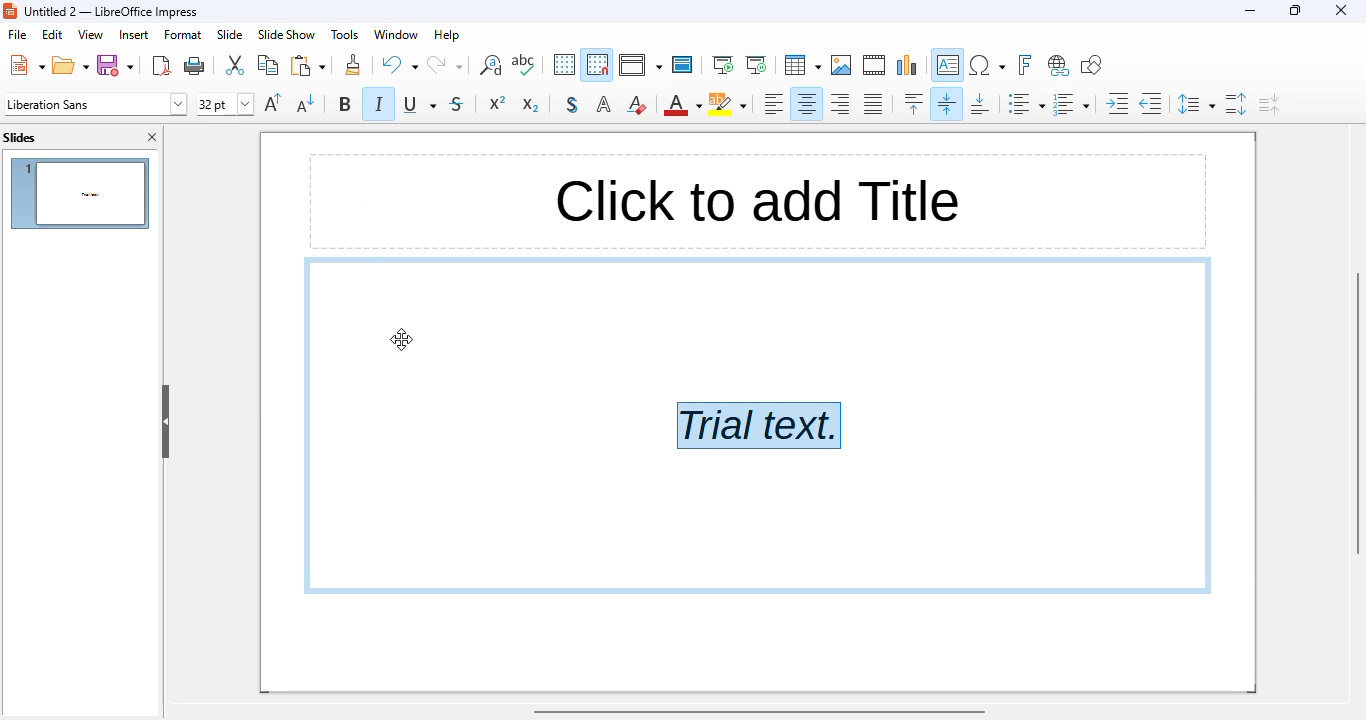 The image size is (1366, 720). Describe the element at coordinates (1152, 104) in the screenshot. I see `decrease indent` at that location.